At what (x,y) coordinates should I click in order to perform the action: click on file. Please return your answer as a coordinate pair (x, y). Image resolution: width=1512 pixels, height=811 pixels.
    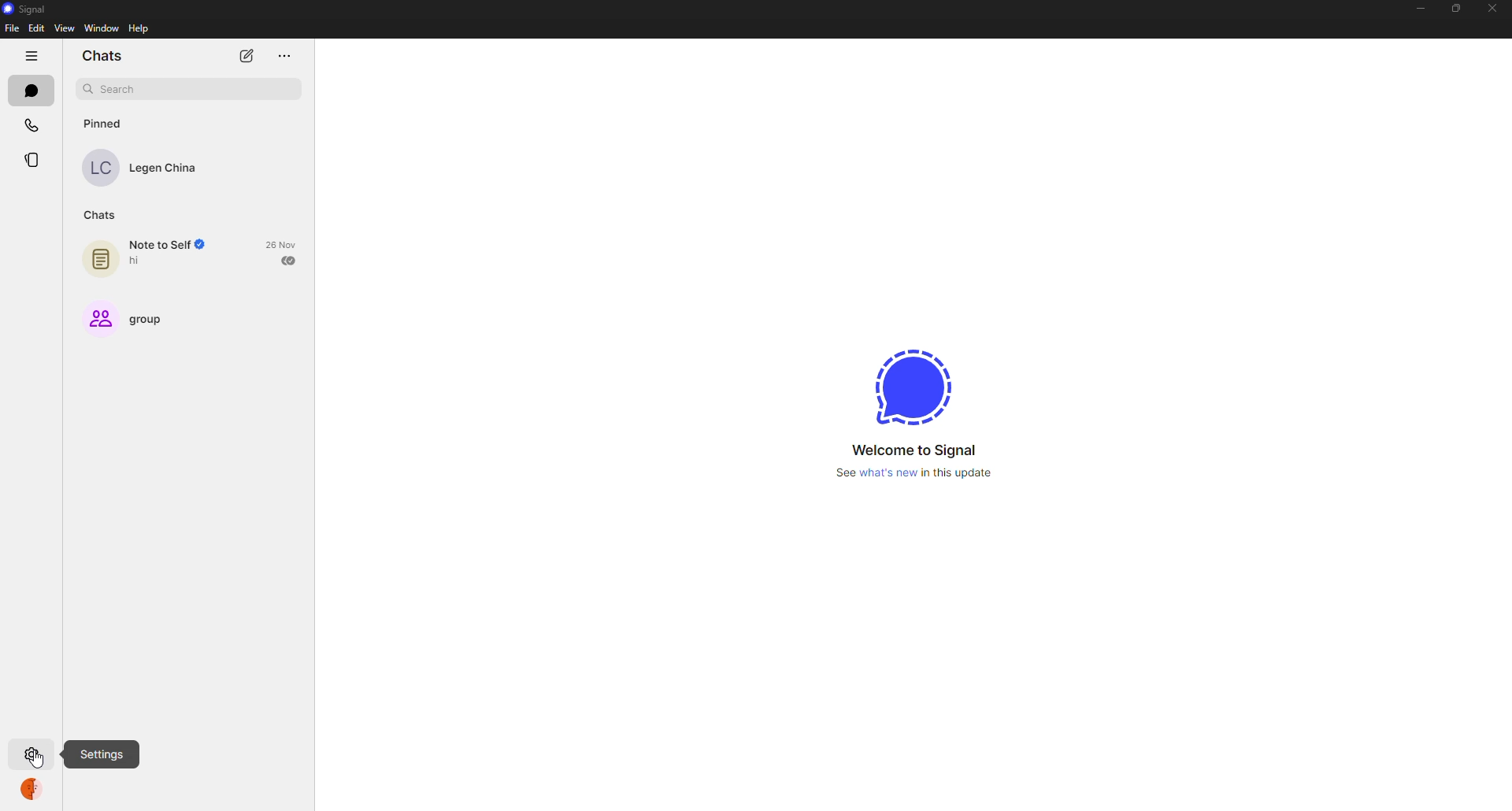
    Looking at the image, I should click on (12, 28).